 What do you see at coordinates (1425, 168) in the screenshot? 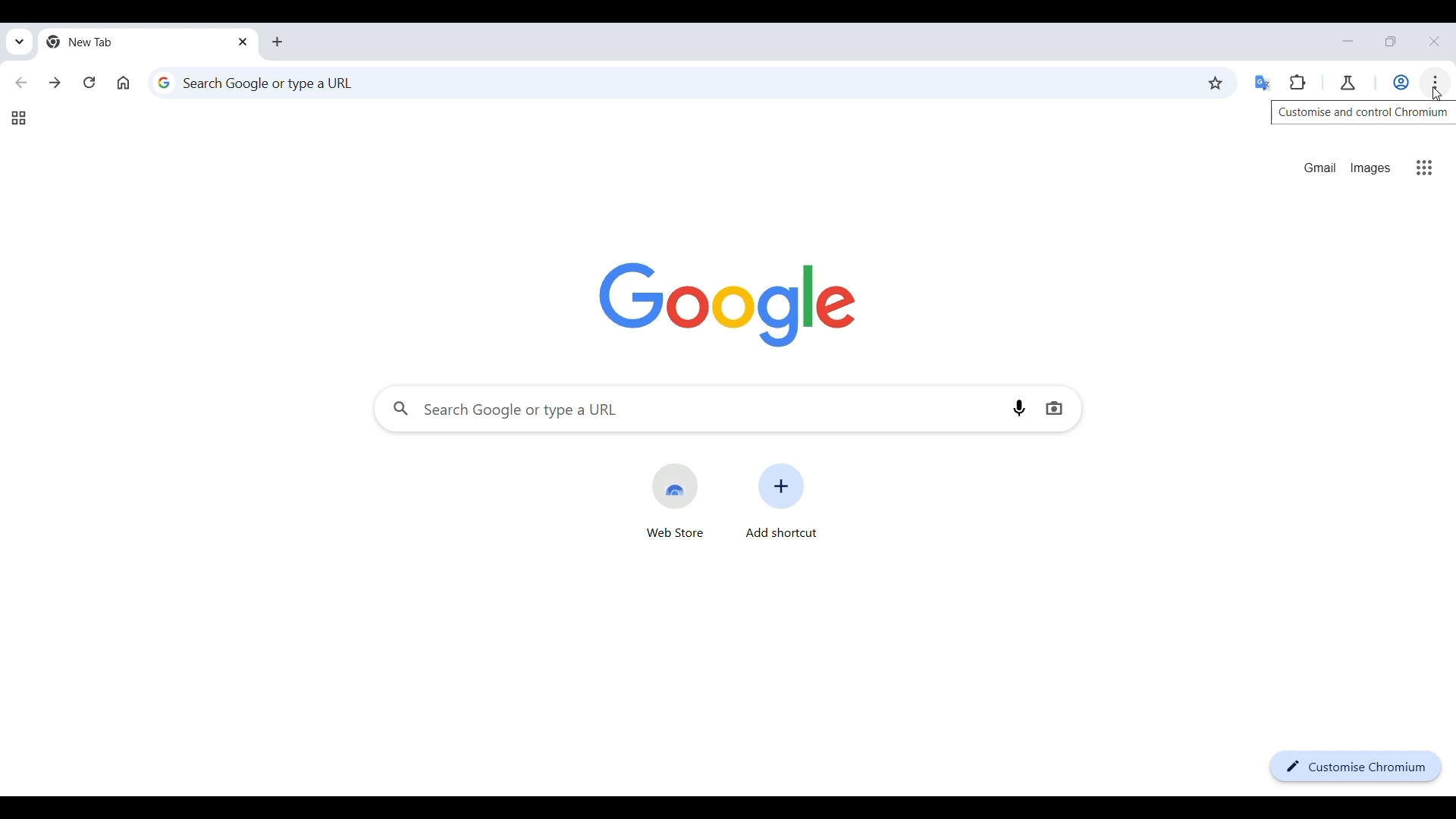
I see `Google apps` at bounding box center [1425, 168].